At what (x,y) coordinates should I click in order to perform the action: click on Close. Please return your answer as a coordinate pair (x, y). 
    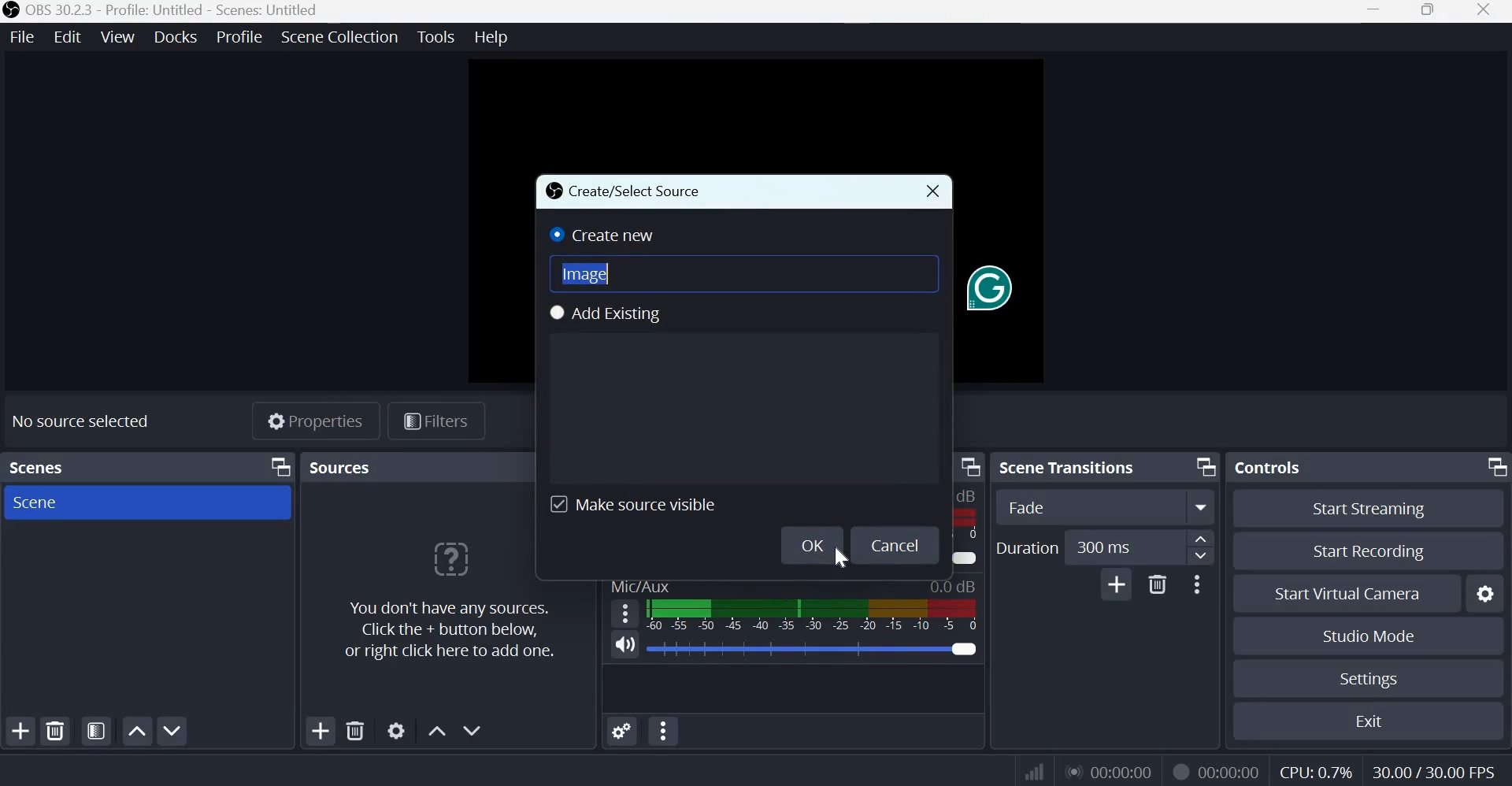
    Looking at the image, I should click on (933, 192).